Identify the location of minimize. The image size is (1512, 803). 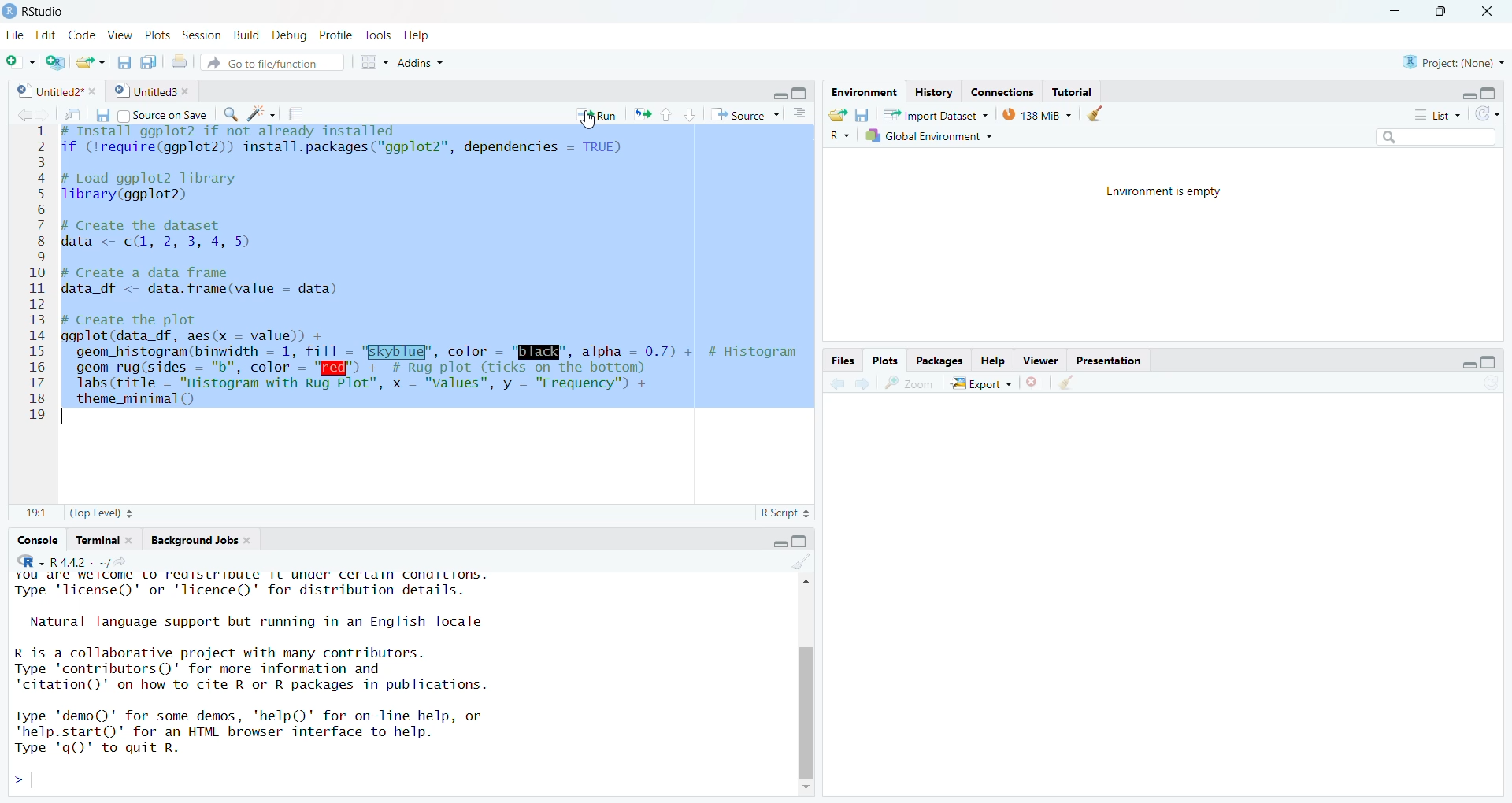
(1393, 13).